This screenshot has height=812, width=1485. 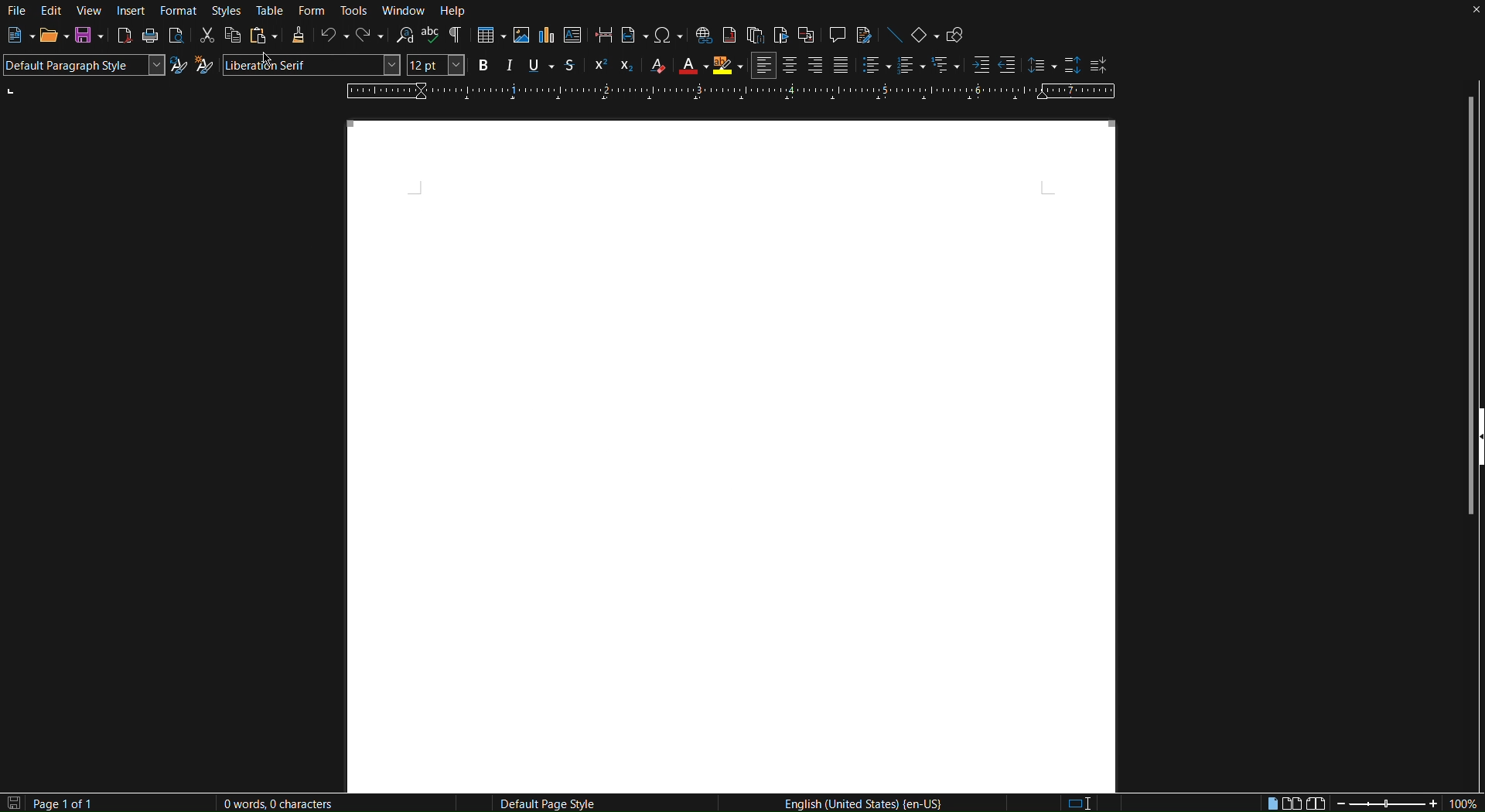 What do you see at coordinates (177, 64) in the screenshot?
I see `Update Selected Style` at bounding box center [177, 64].